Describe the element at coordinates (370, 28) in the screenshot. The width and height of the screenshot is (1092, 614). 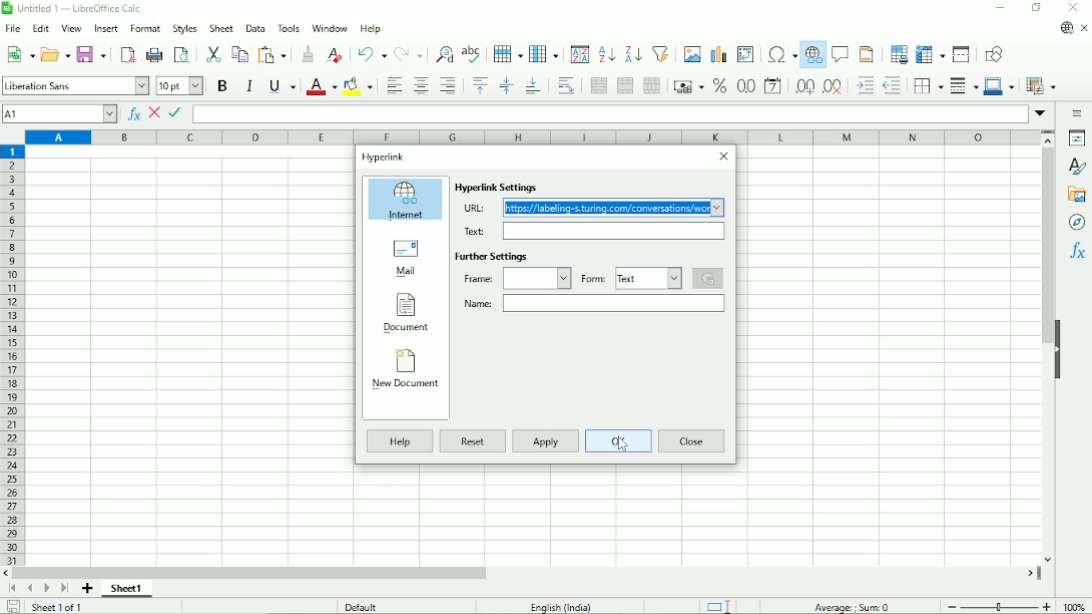
I see `Help` at that location.